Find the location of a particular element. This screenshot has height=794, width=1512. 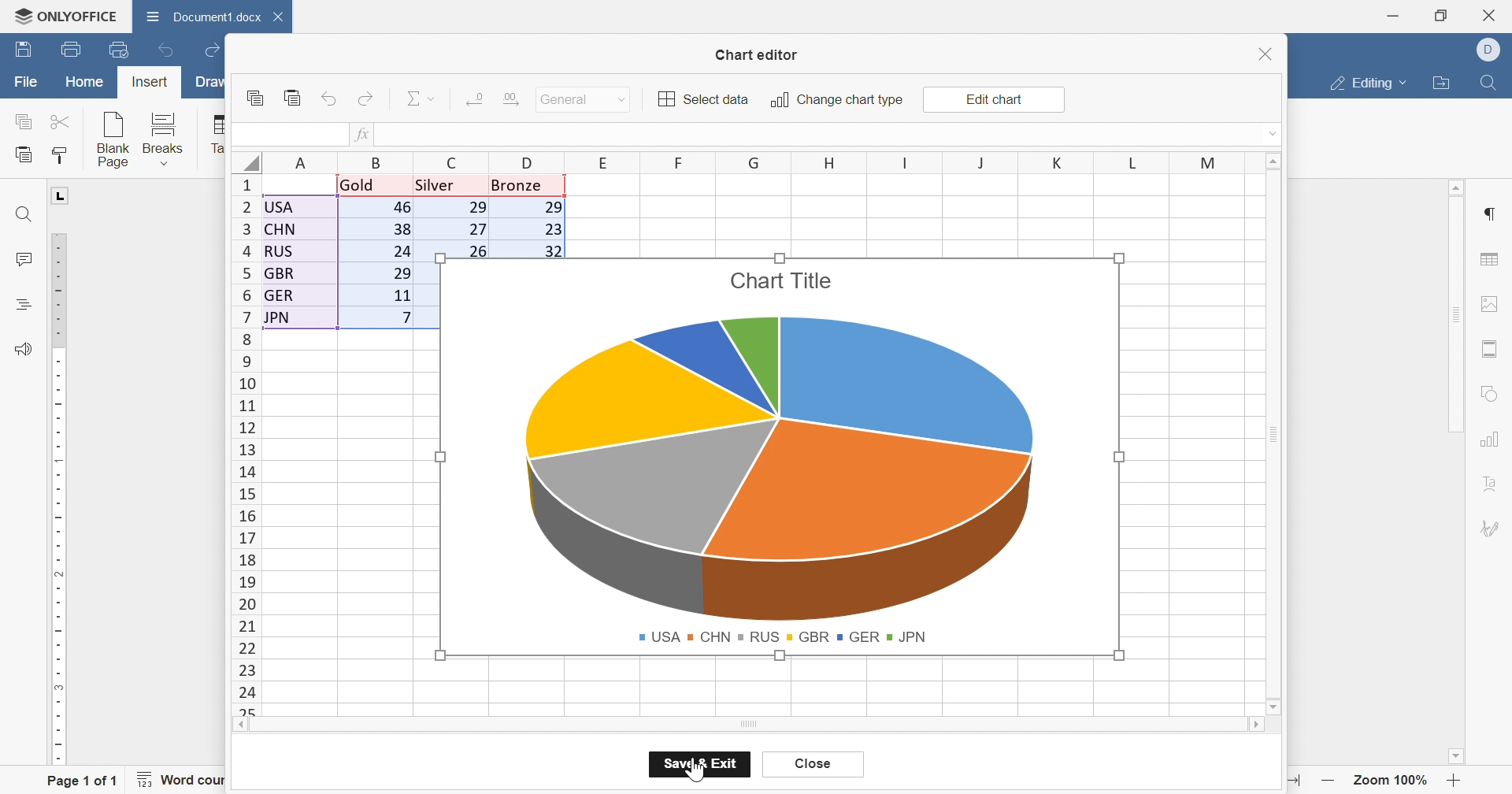

Scroll up is located at coordinates (1458, 187).